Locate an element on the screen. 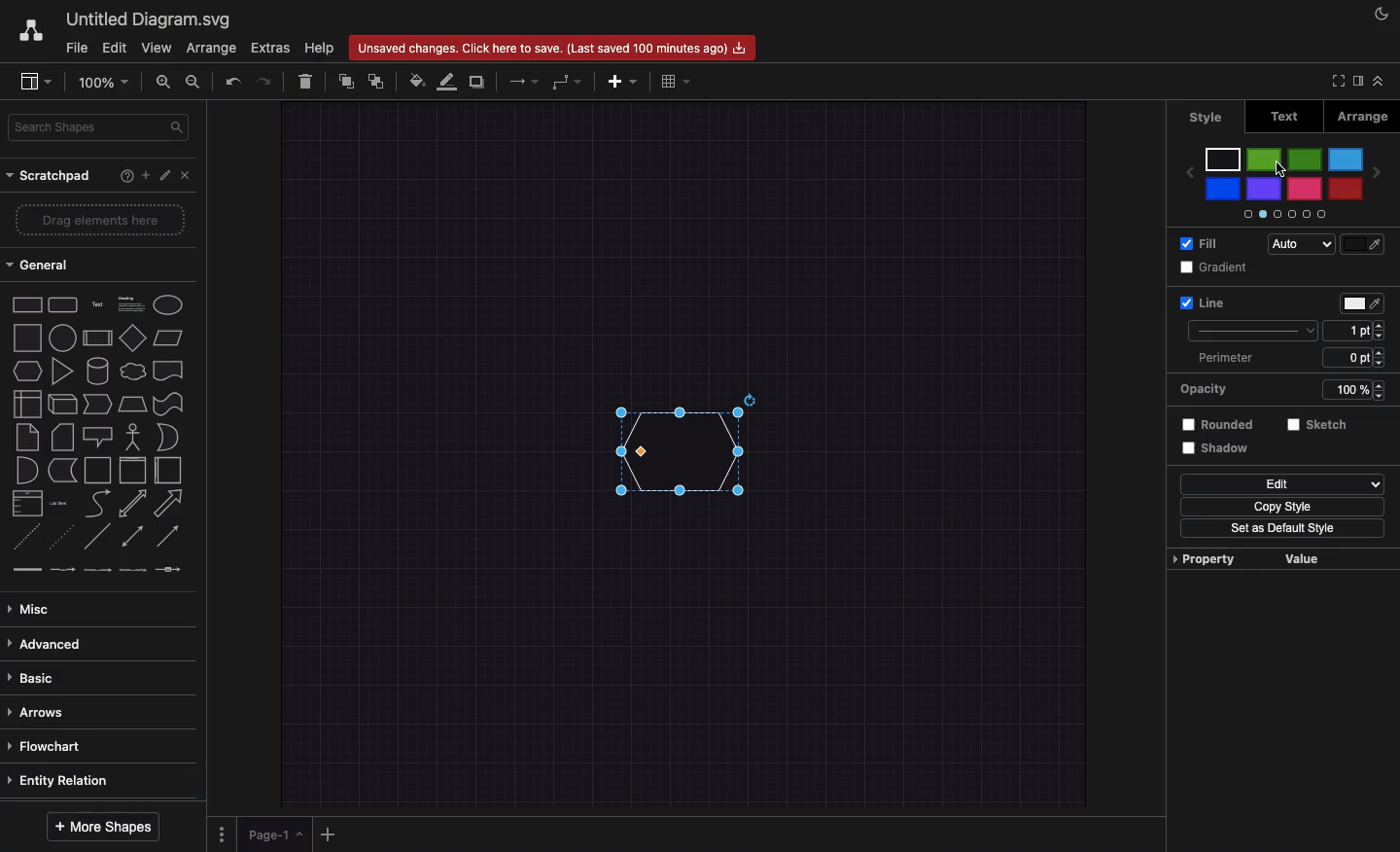  Misc is located at coordinates (36, 611).